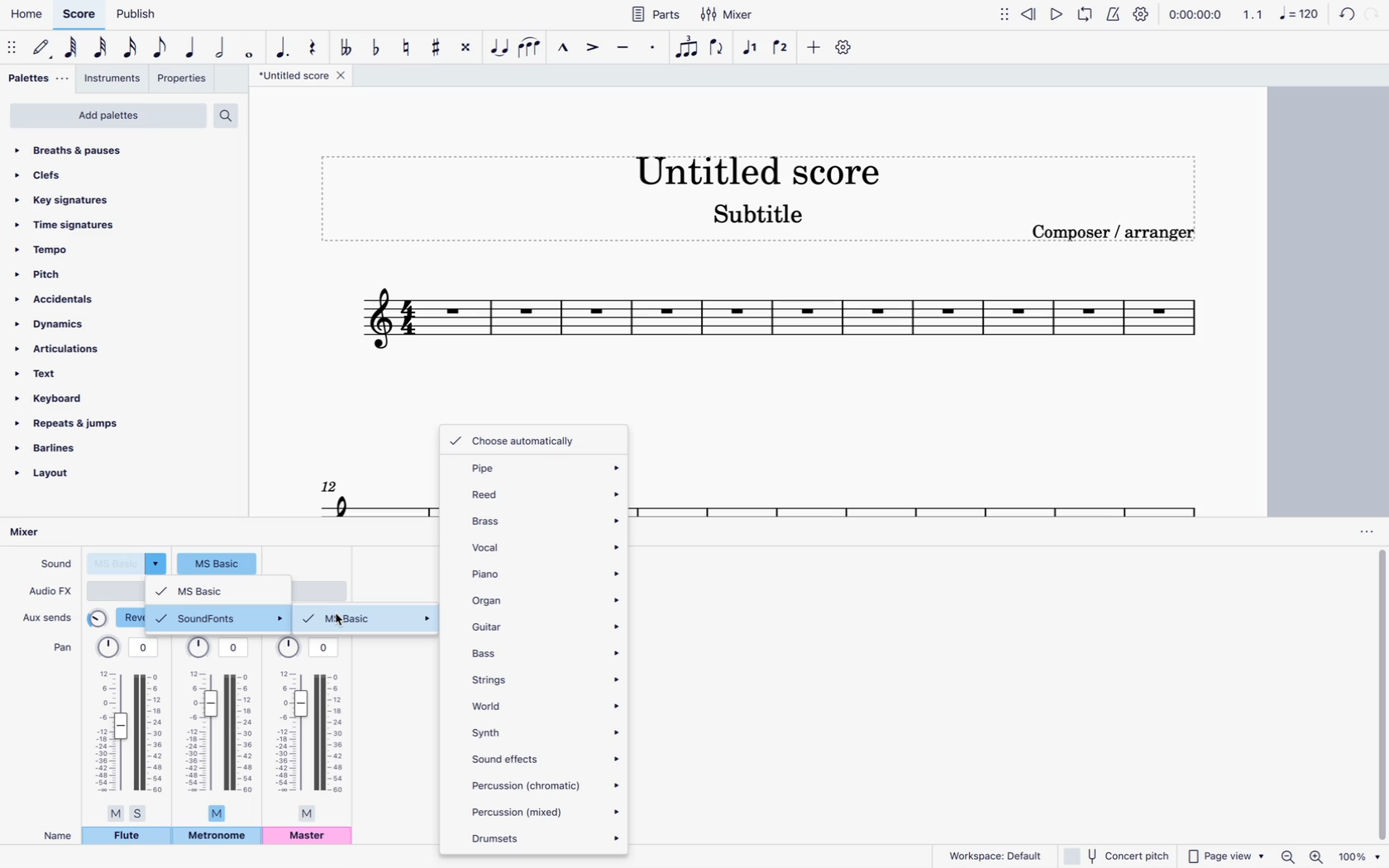 The height and width of the screenshot is (868, 1389). Describe the element at coordinates (1005, 13) in the screenshot. I see `move` at that location.